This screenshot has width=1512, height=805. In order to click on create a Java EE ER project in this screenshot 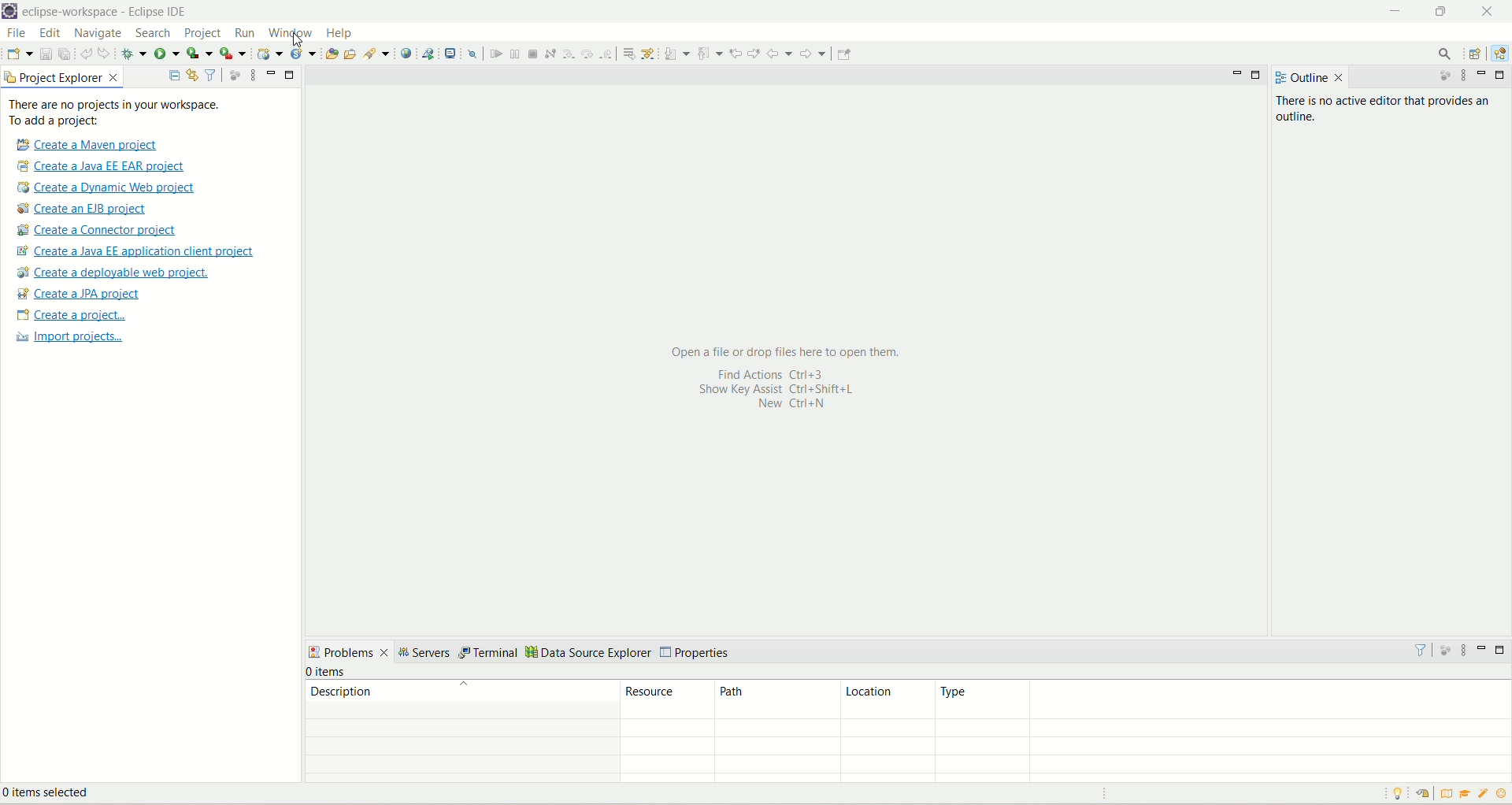, I will do `click(105, 166)`.